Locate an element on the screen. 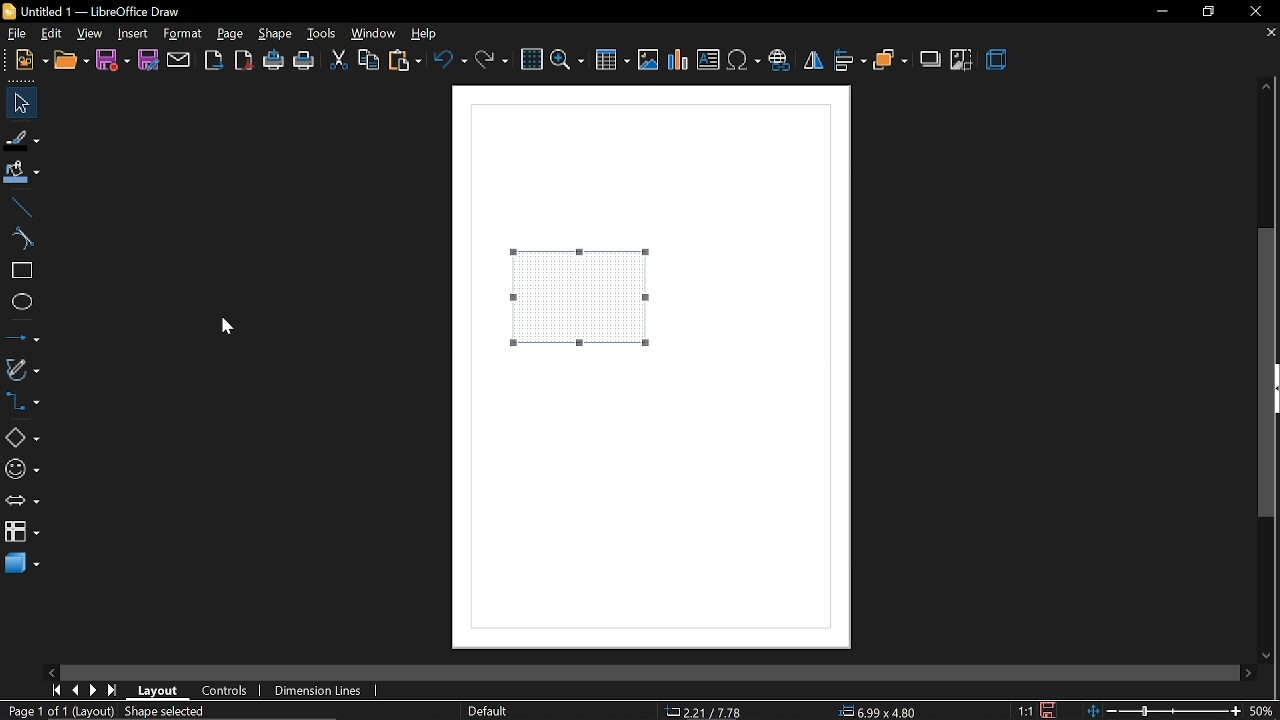 Image resolution: width=1280 pixels, height=720 pixels. format is located at coordinates (186, 33).